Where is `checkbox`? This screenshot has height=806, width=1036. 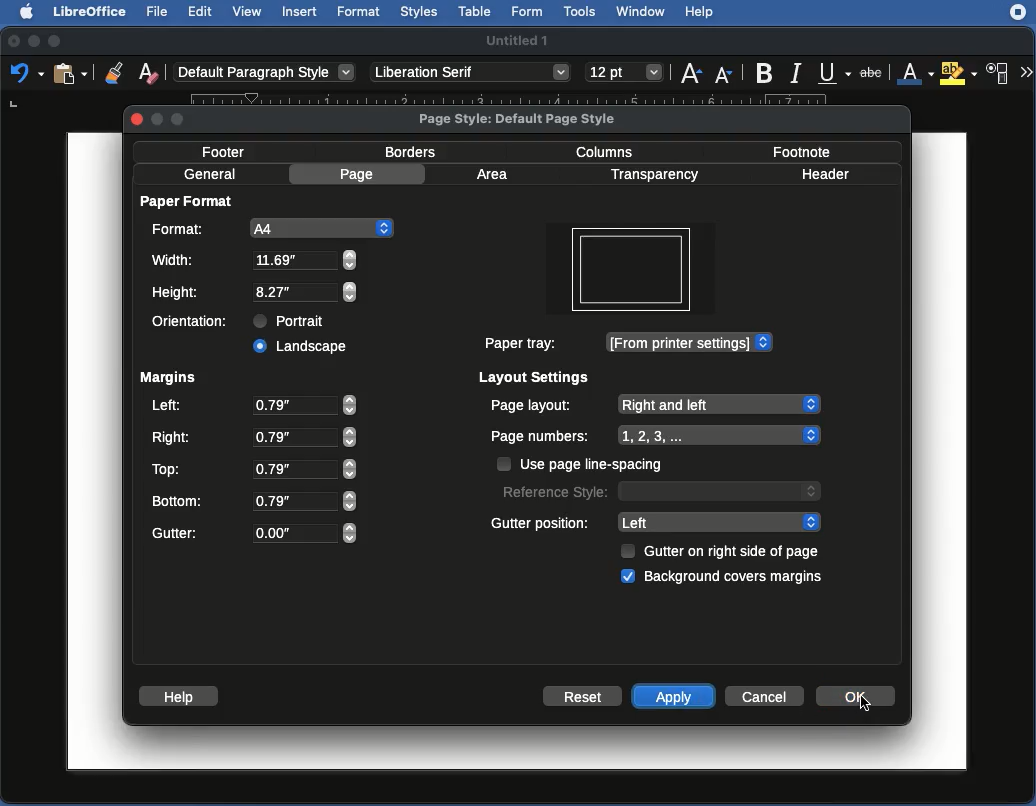
checkbox is located at coordinates (504, 463).